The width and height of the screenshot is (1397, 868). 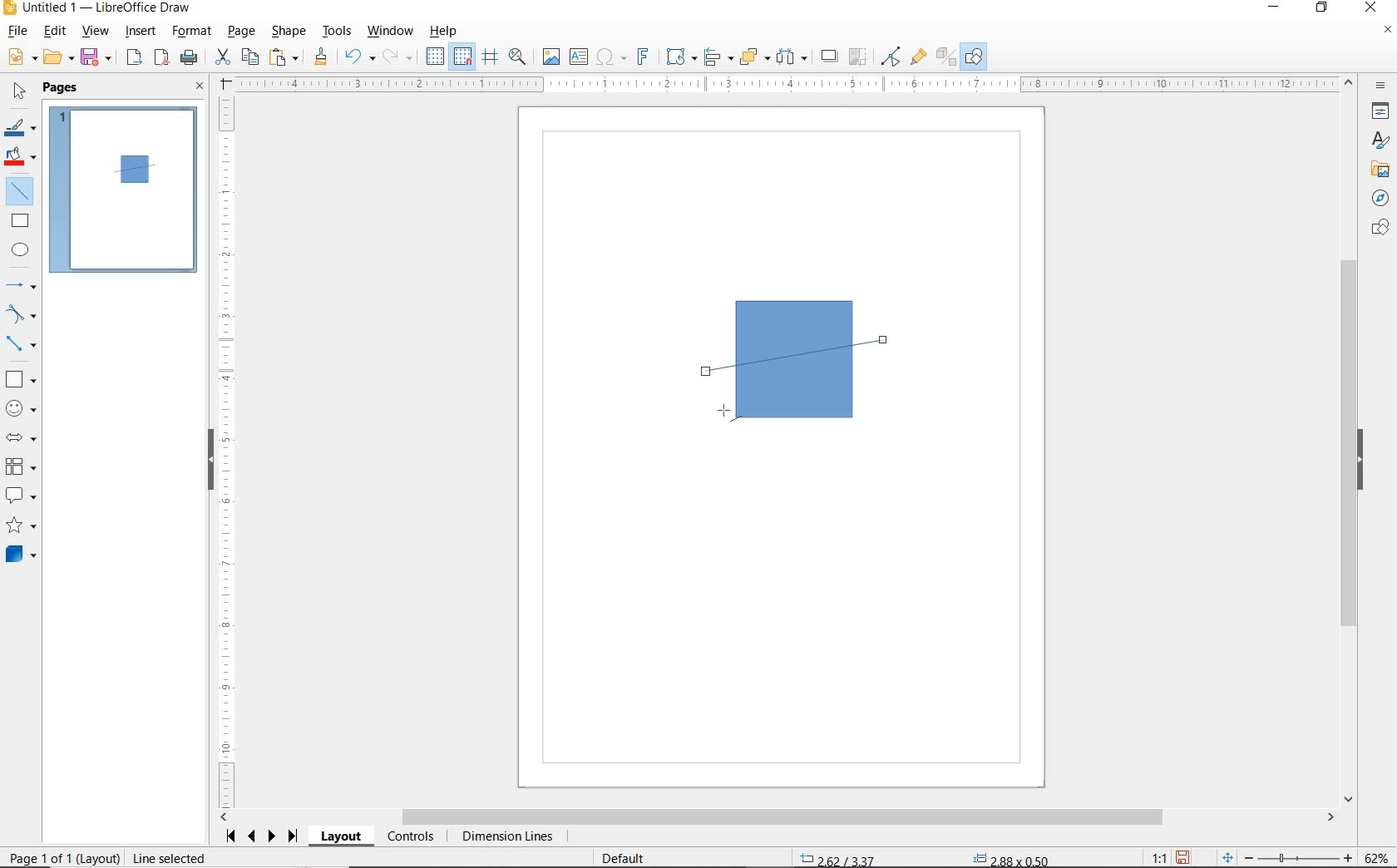 What do you see at coordinates (263, 836) in the screenshot?
I see `SCROLL NEXT` at bounding box center [263, 836].